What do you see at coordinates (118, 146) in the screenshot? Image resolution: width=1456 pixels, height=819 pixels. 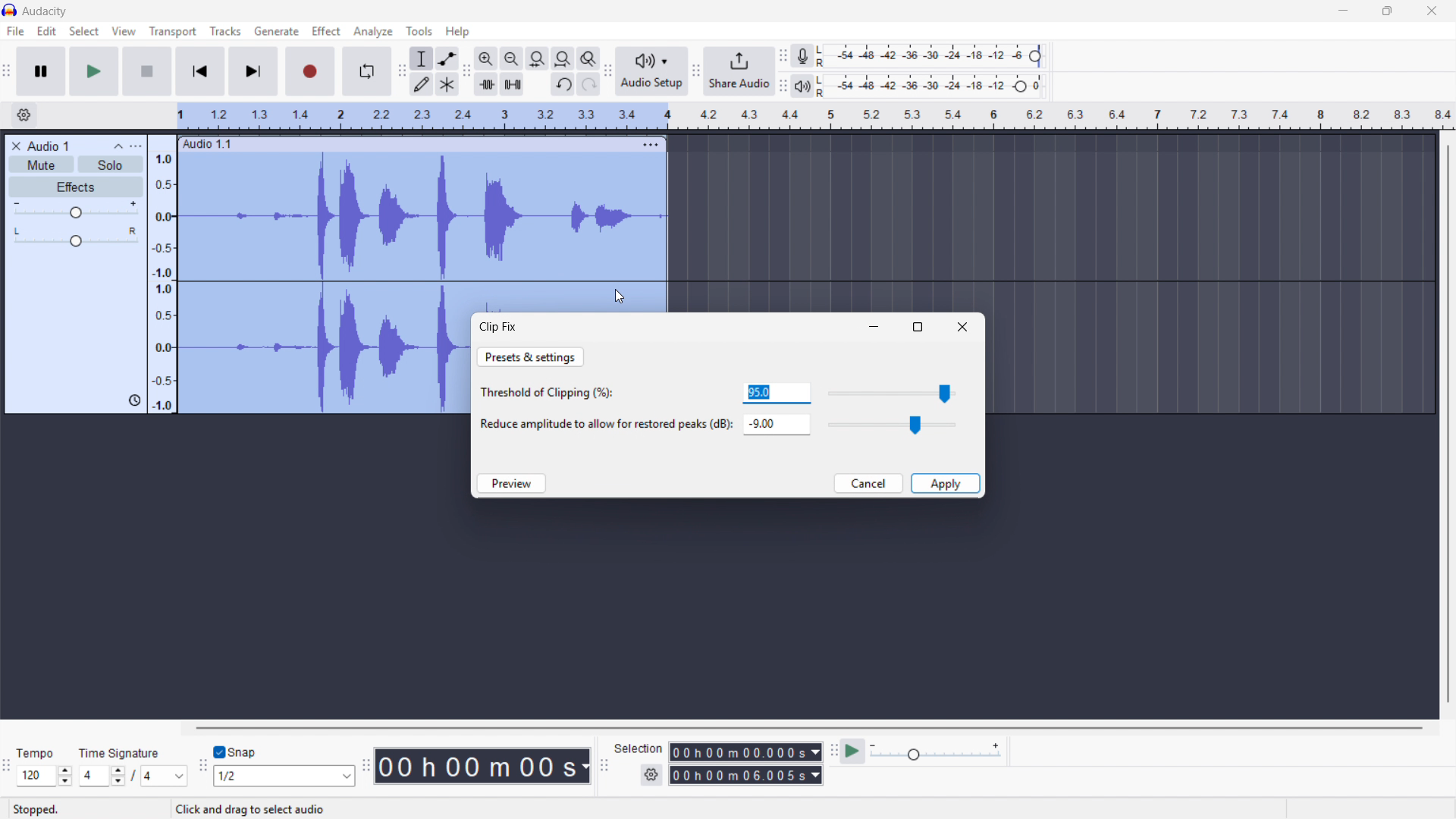 I see `Collapse ` at bounding box center [118, 146].